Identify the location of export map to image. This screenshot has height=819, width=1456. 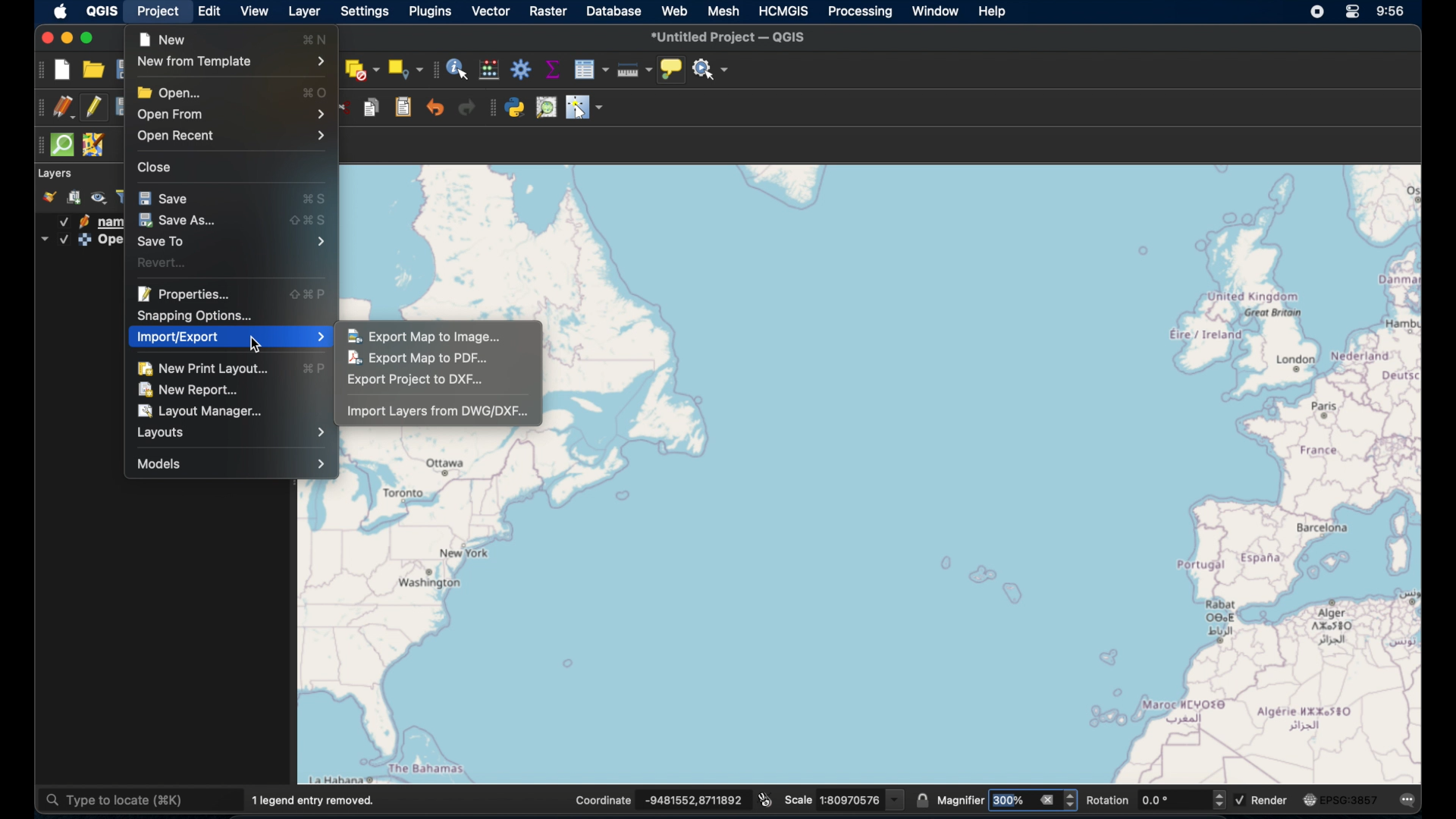
(427, 336).